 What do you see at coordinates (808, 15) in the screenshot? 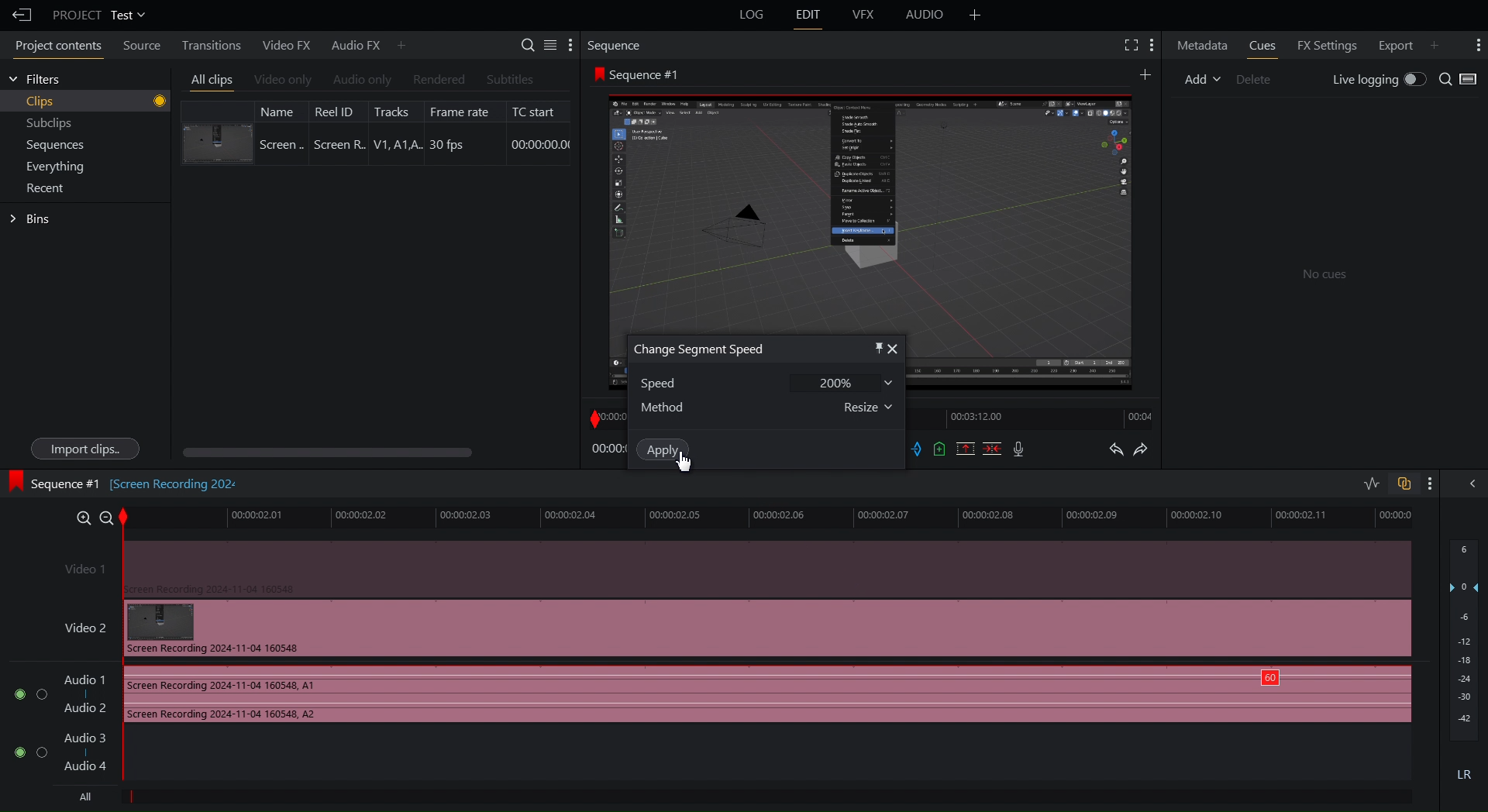
I see `Edit` at bounding box center [808, 15].